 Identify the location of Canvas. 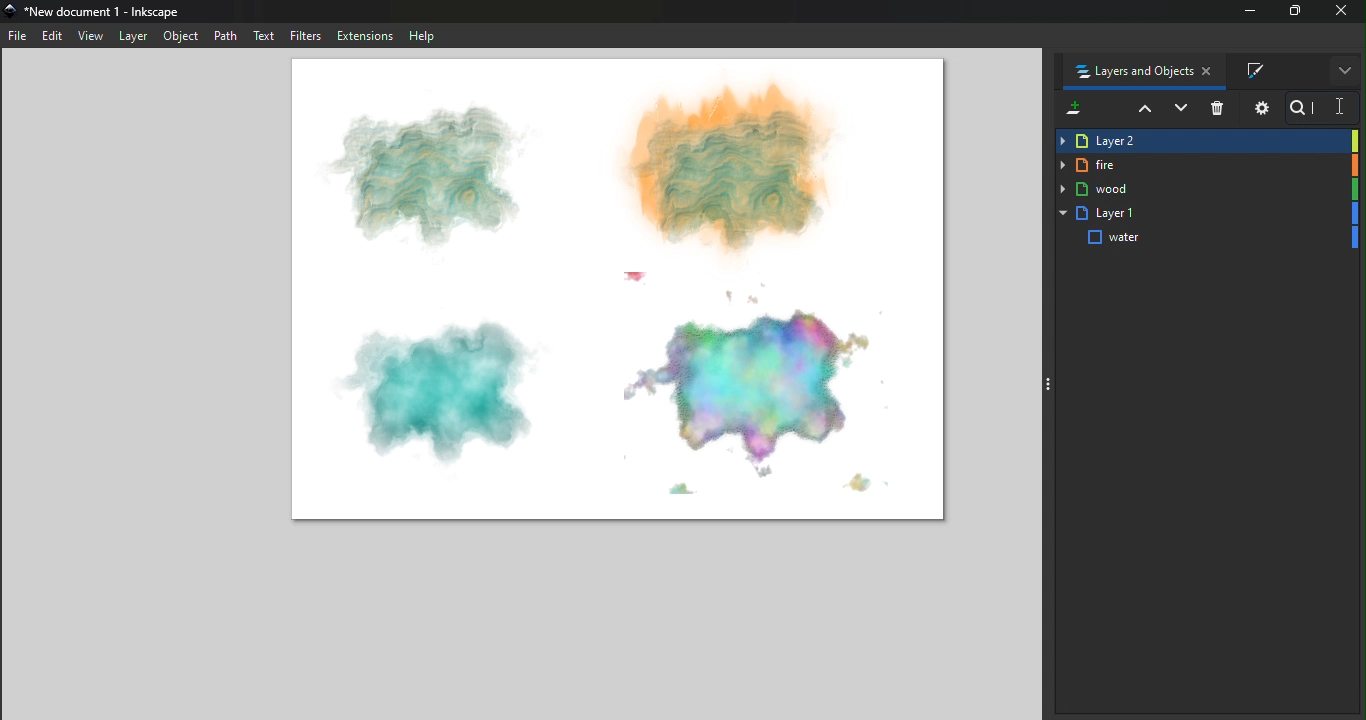
(625, 292).